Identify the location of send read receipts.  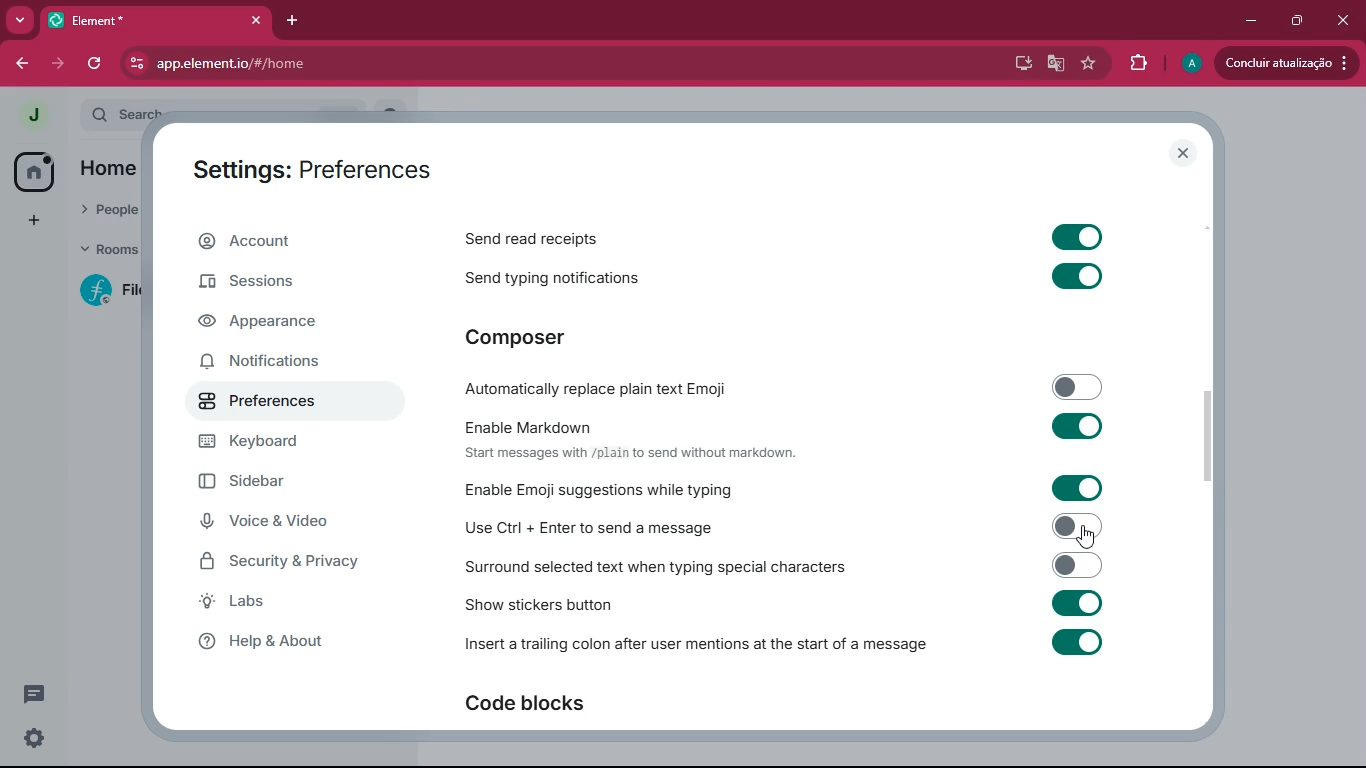
(539, 241).